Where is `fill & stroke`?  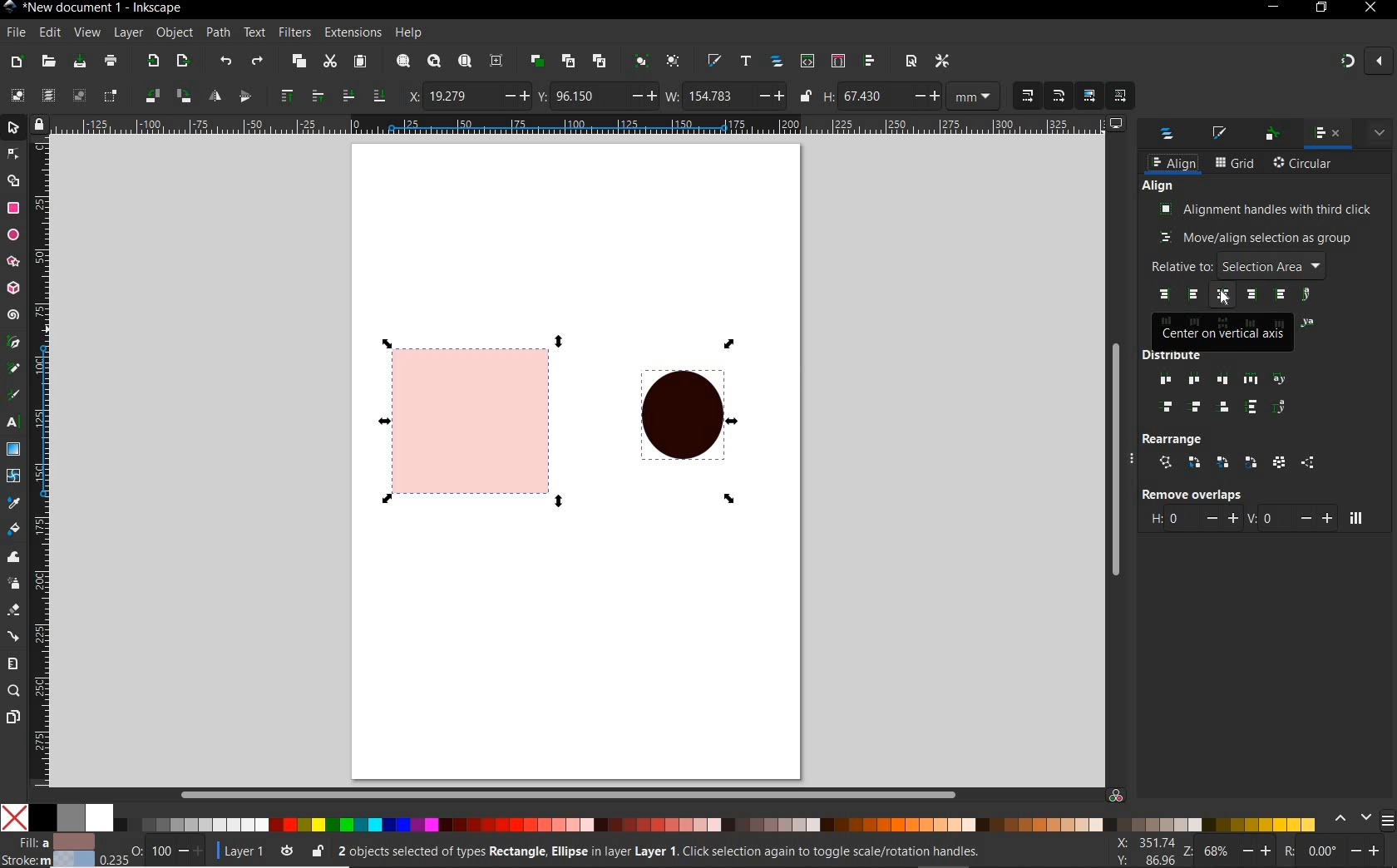
fill & stroke is located at coordinates (1222, 133).